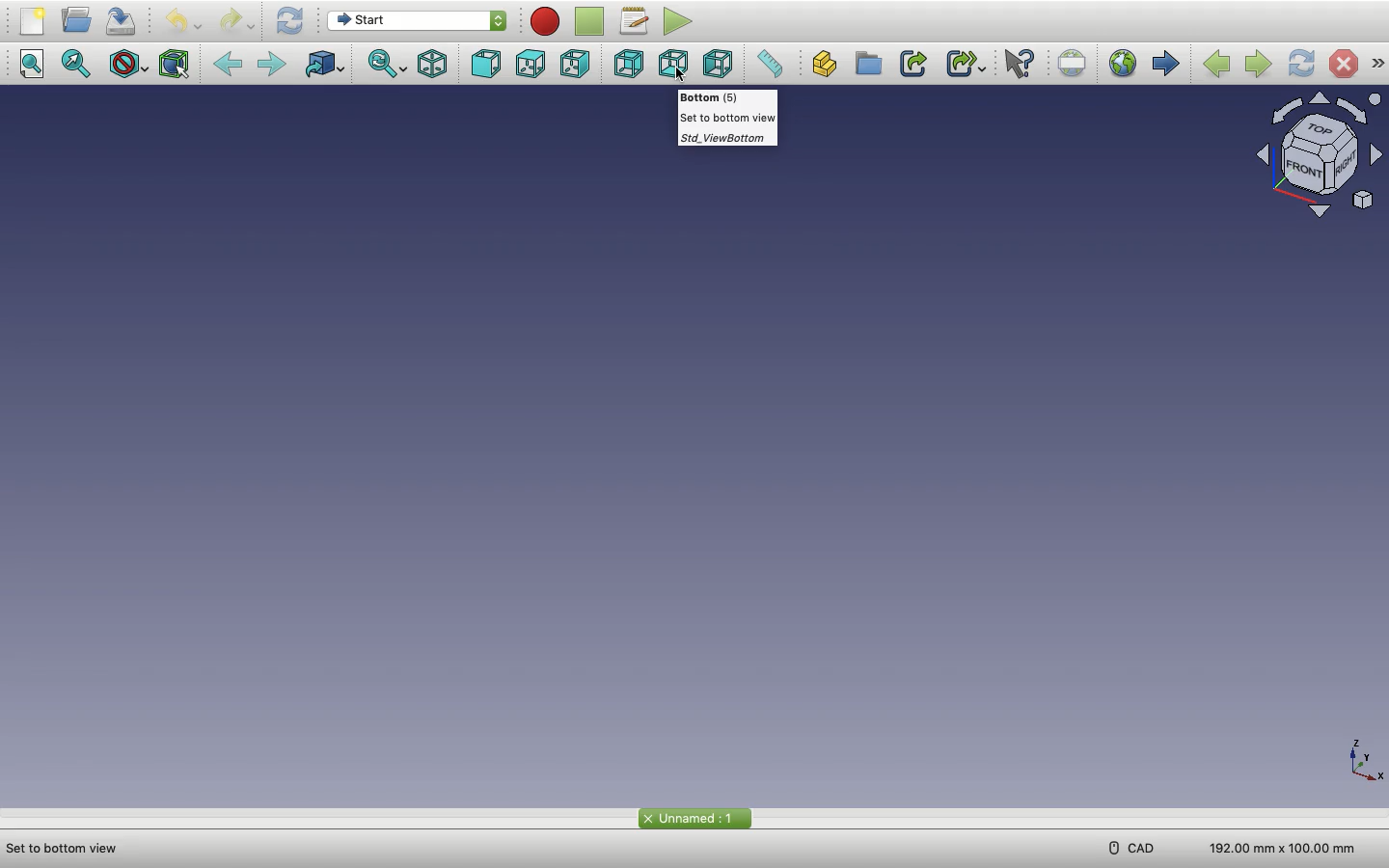 The height and width of the screenshot is (868, 1389). I want to click on Isometric, so click(435, 66).